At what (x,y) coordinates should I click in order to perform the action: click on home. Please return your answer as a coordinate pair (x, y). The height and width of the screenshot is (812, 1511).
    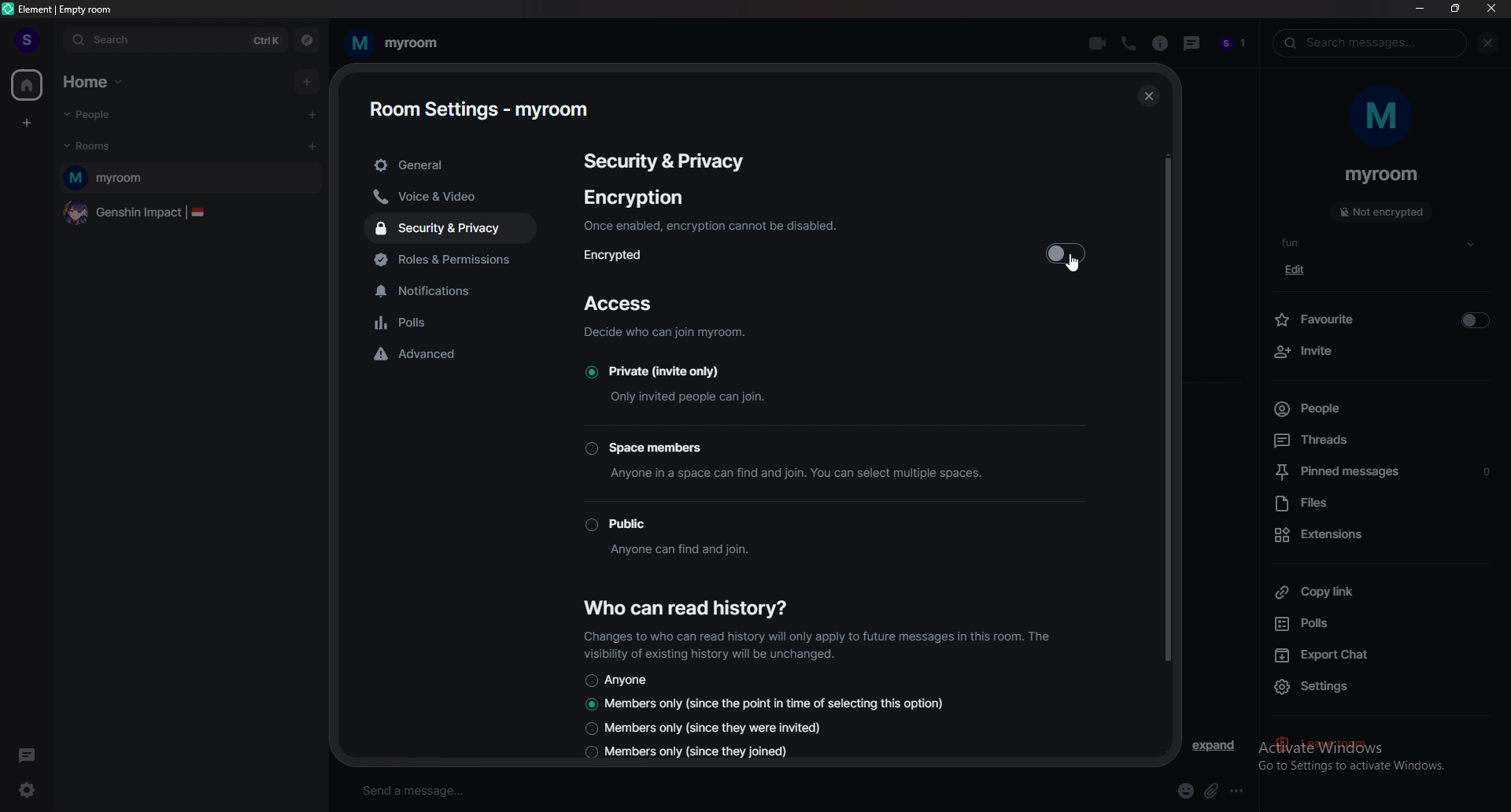
    Looking at the image, I should click on (102, 80).